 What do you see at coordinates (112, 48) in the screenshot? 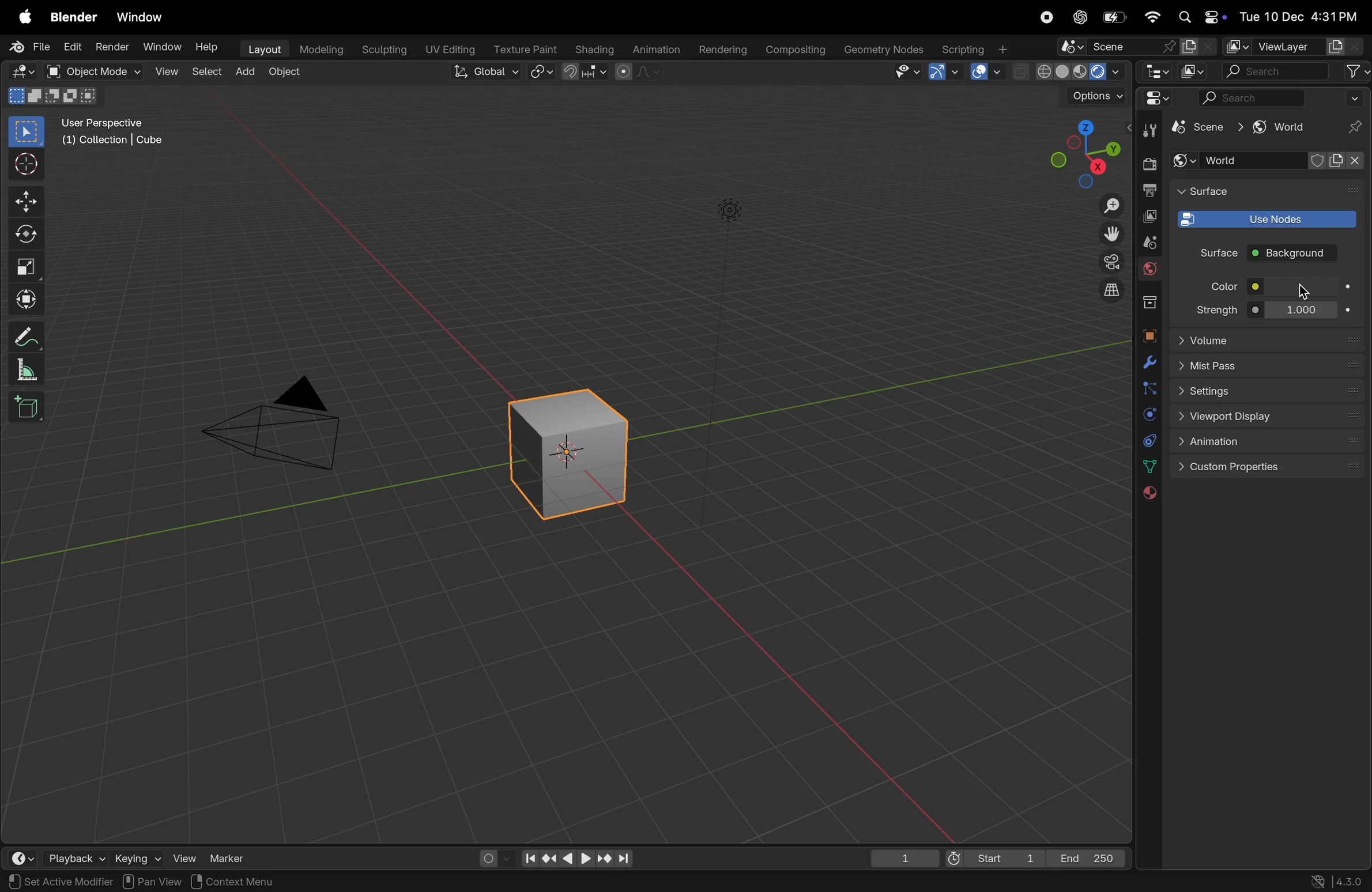
I see `render` at bounding box center [112, 48].